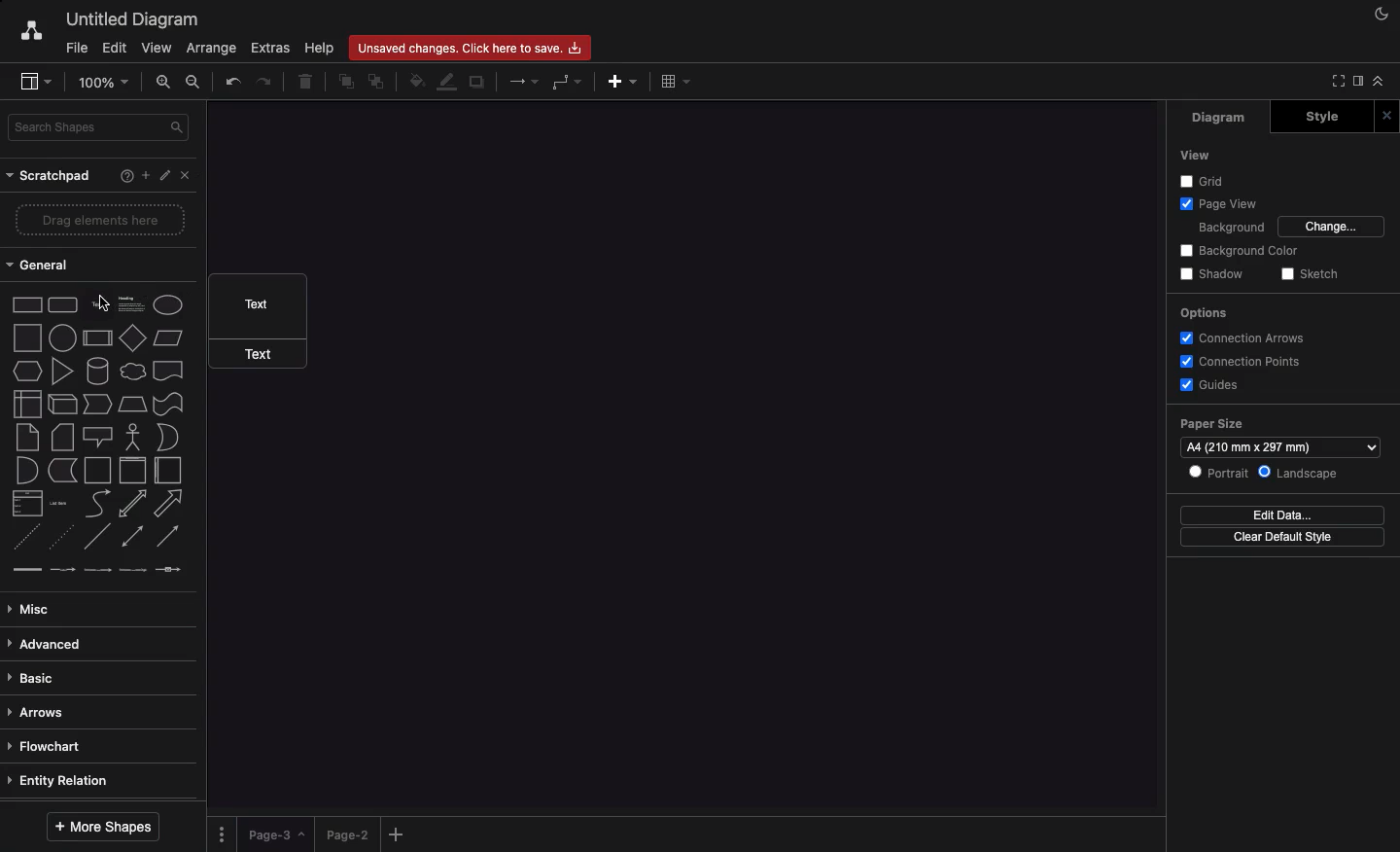 This screenshot has width=1400, height=852. I want to click on Scratchpad, so click(52, 177).